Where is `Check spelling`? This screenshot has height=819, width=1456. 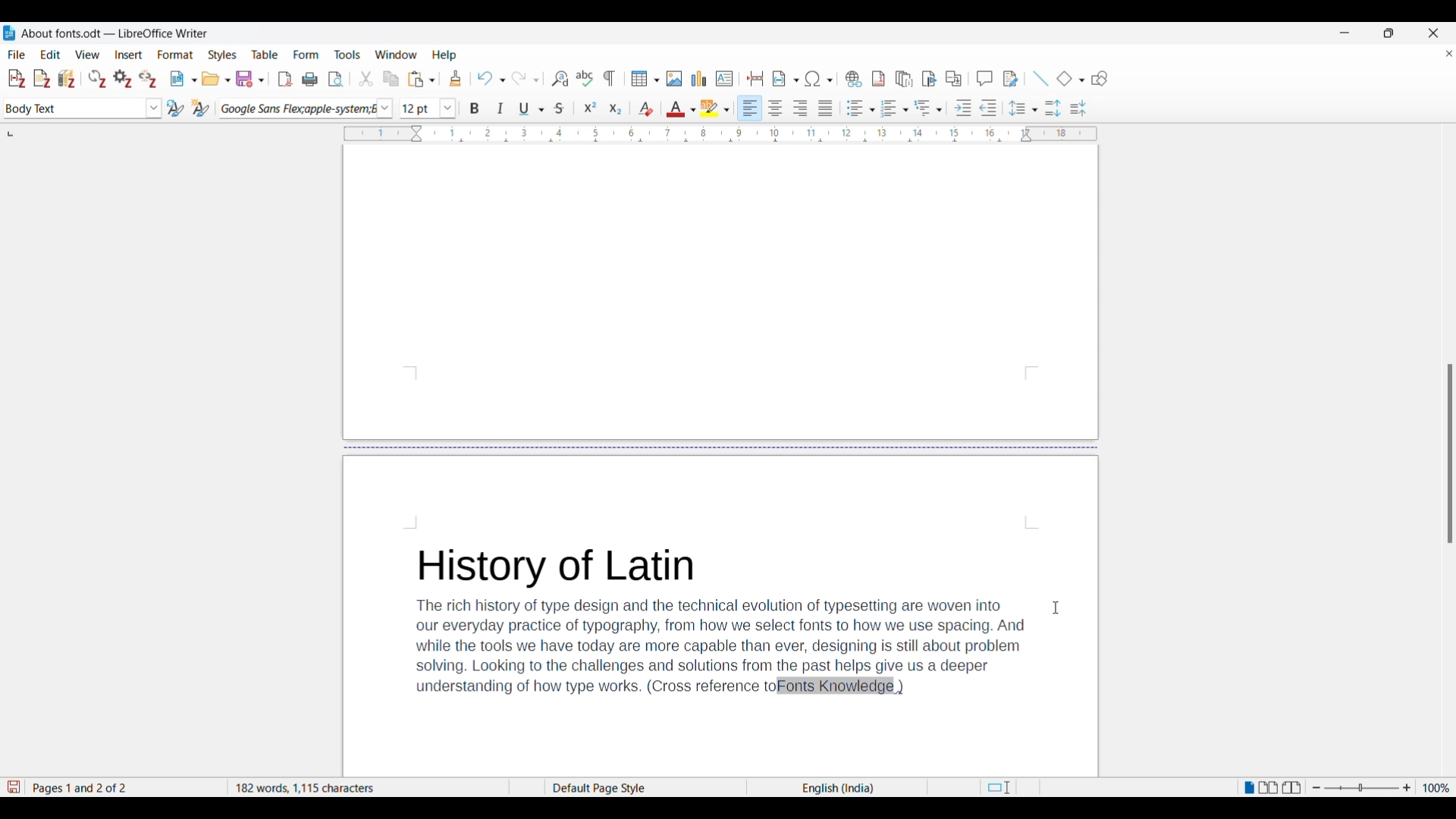
Check spelling is located at coordinates (584, 78).